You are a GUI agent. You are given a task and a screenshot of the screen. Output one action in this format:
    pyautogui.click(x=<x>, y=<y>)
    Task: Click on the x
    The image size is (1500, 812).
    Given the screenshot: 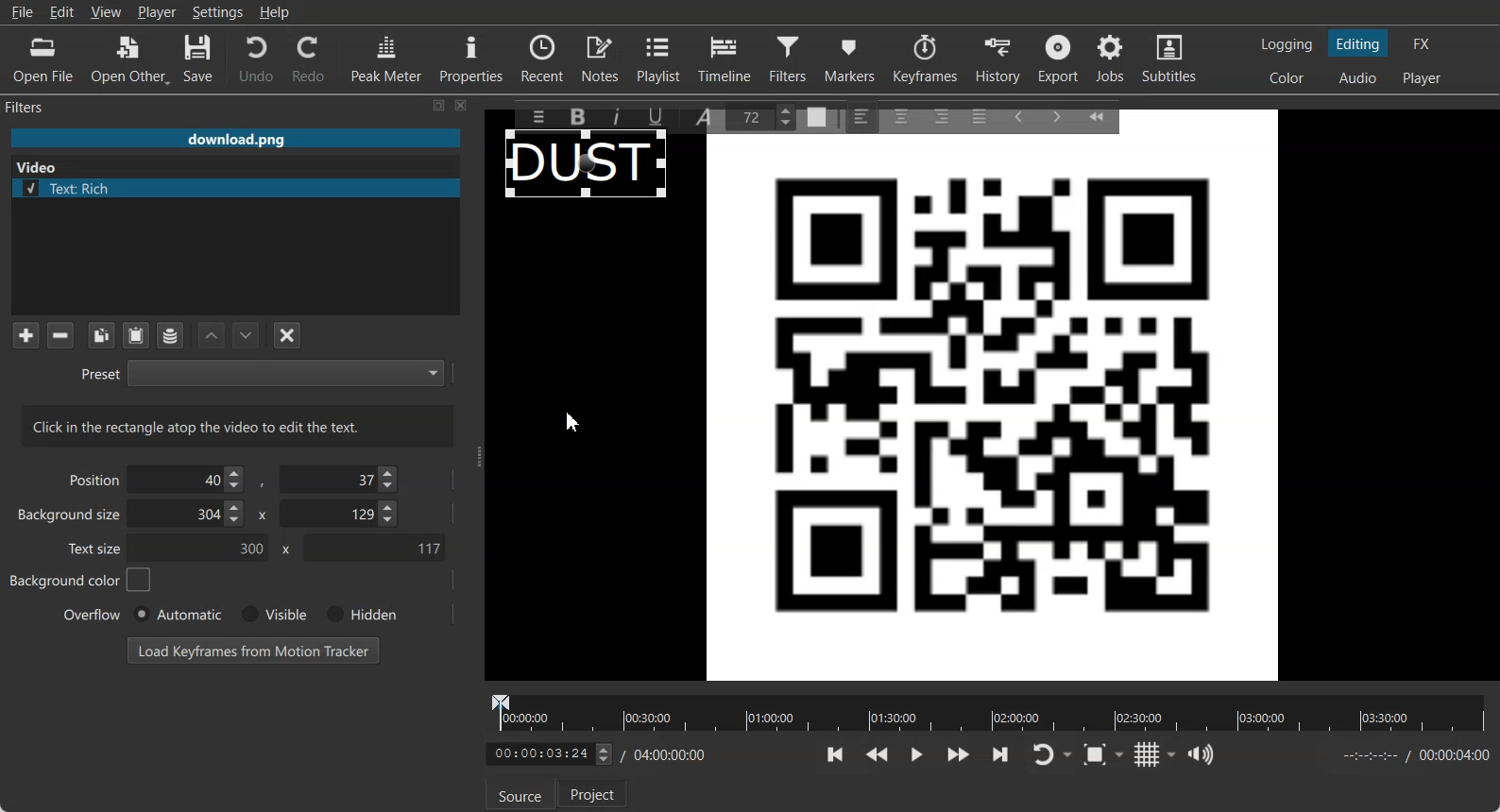 What is the action you would take?
    pyautogui.click(x=260, y=514)
    